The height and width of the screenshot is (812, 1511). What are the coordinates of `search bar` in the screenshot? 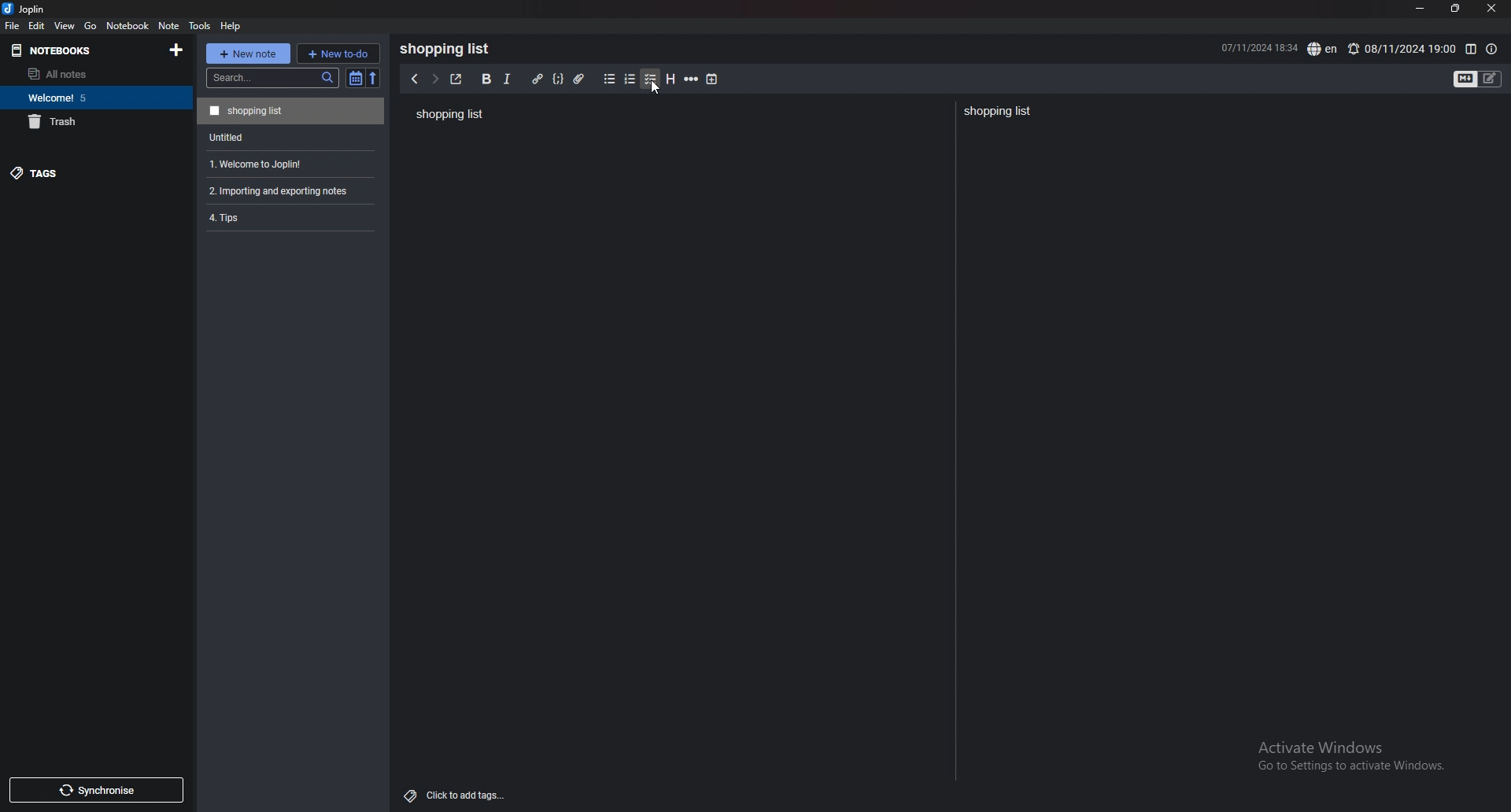 It's located at (272, 78).